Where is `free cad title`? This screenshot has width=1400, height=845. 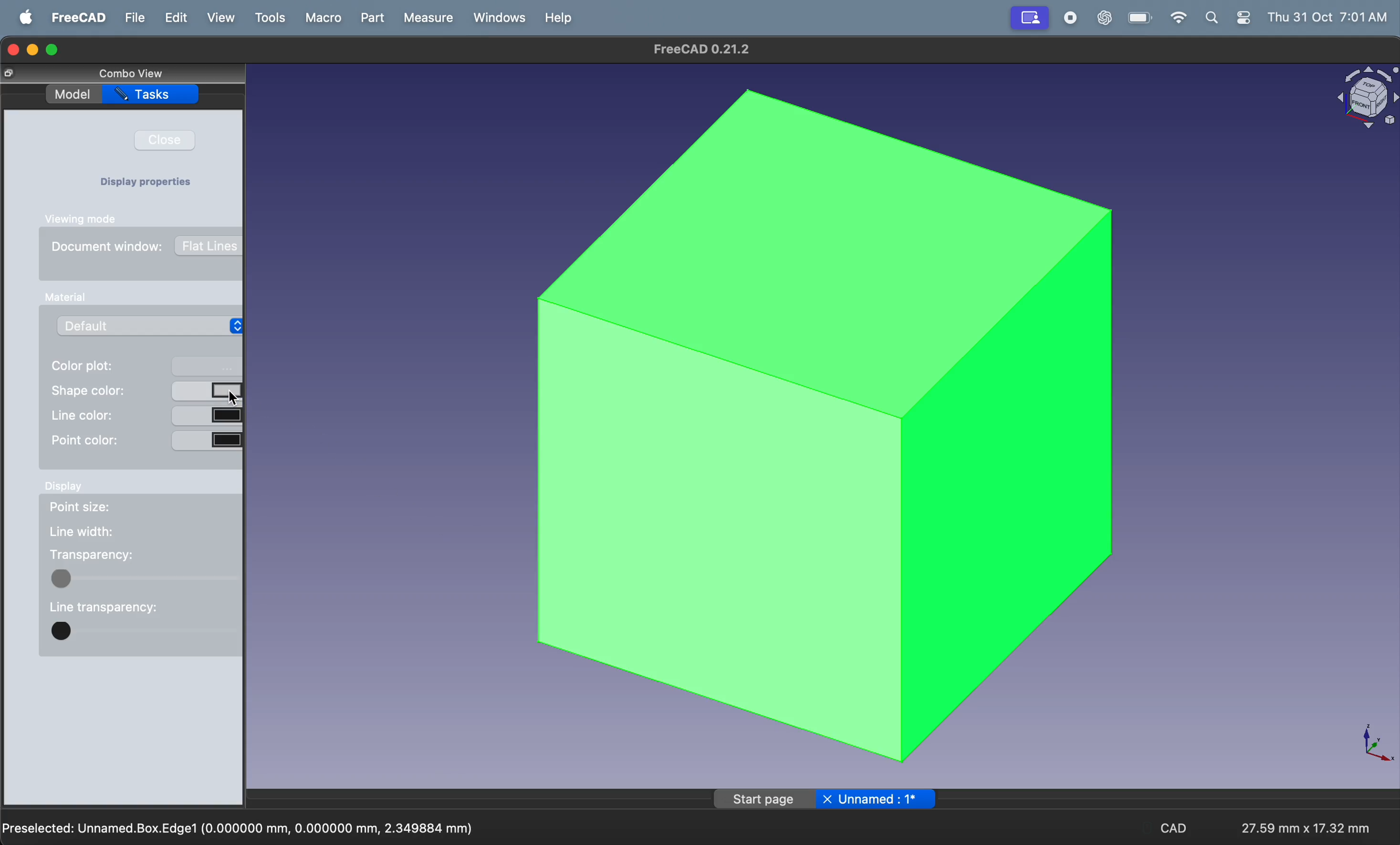 free cad title is located at coordinates (706, 49).